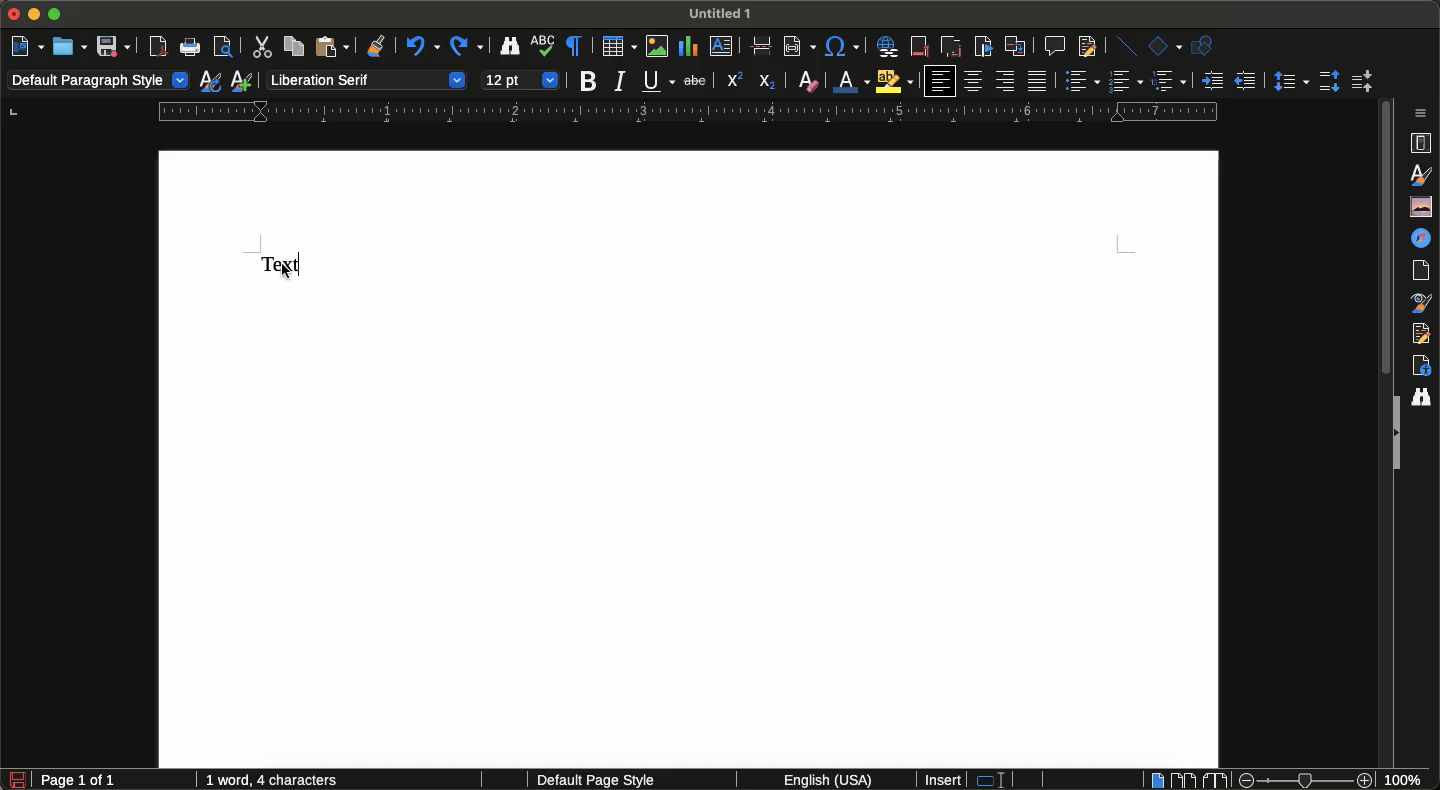 The height and width of the screenshot is (790, 1440). I want to click on Paragraph style, so click(99, 82).